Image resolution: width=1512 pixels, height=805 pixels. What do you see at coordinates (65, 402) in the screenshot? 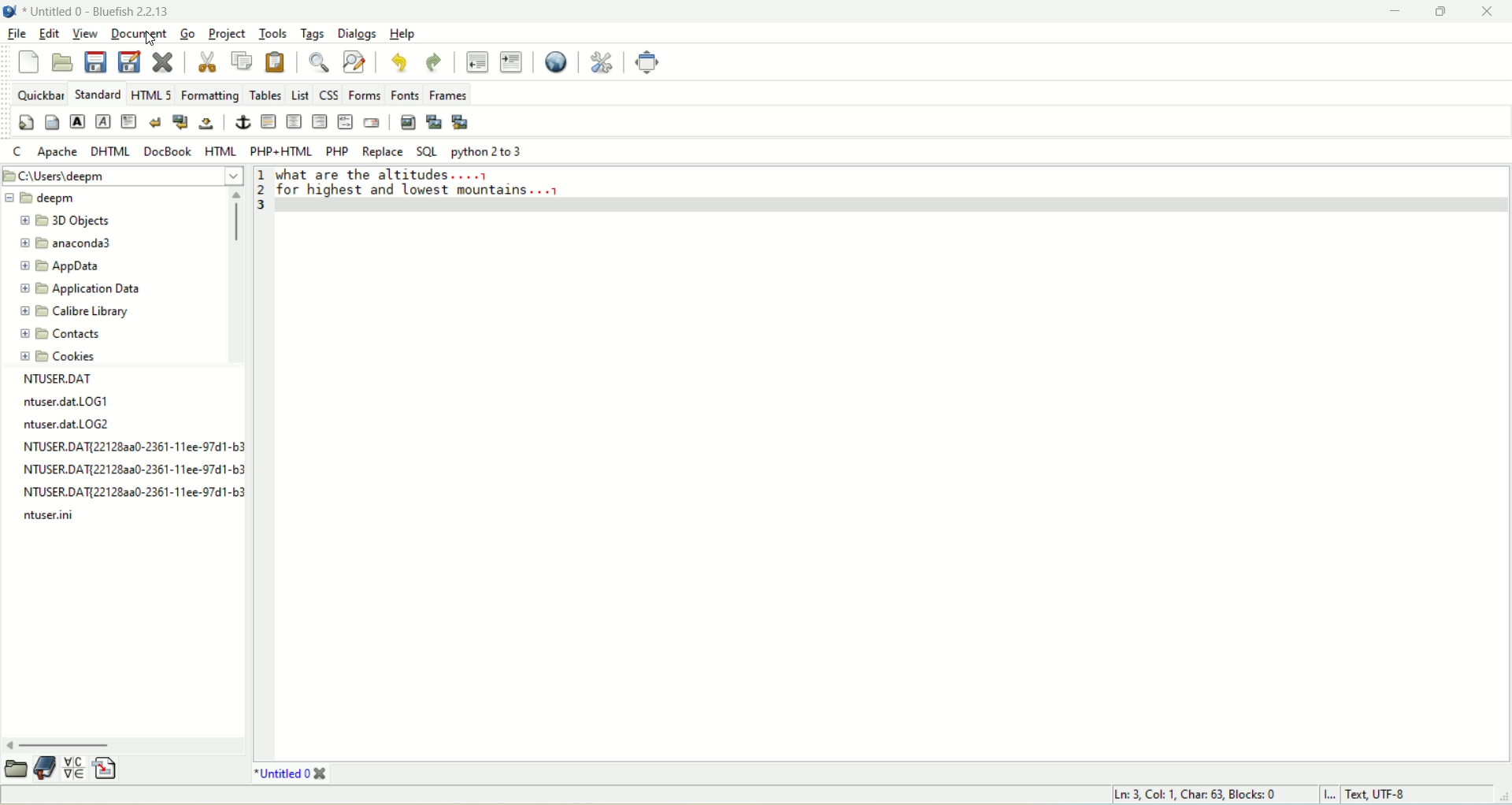
I see `ntuser.dat.LOG1` at bounding box center [65, 402].